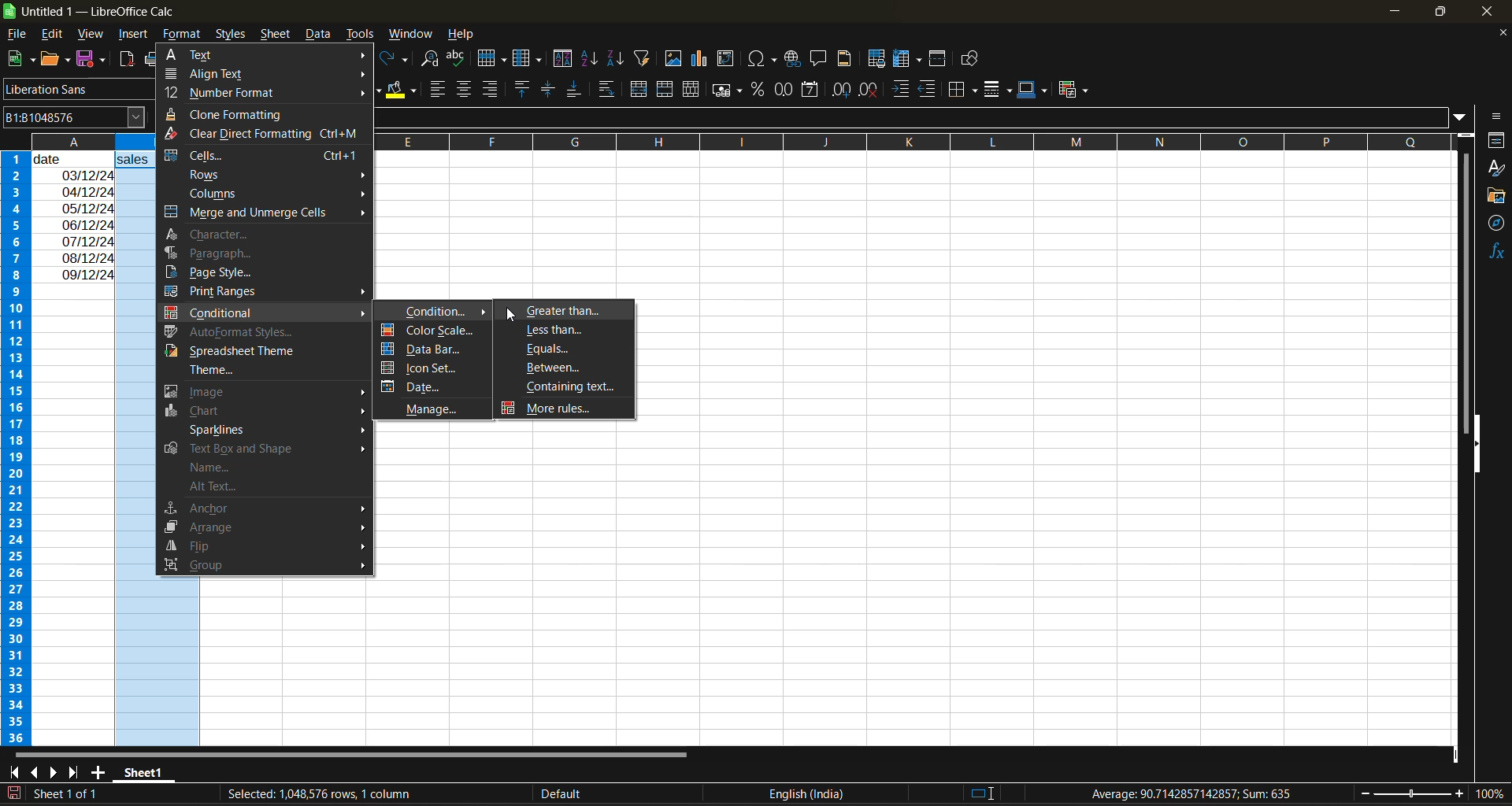 The height and width of the screenshot is (806, 1512). Describe the element at coordinates (219, 468) in the screenshot. I see `name` at that location.